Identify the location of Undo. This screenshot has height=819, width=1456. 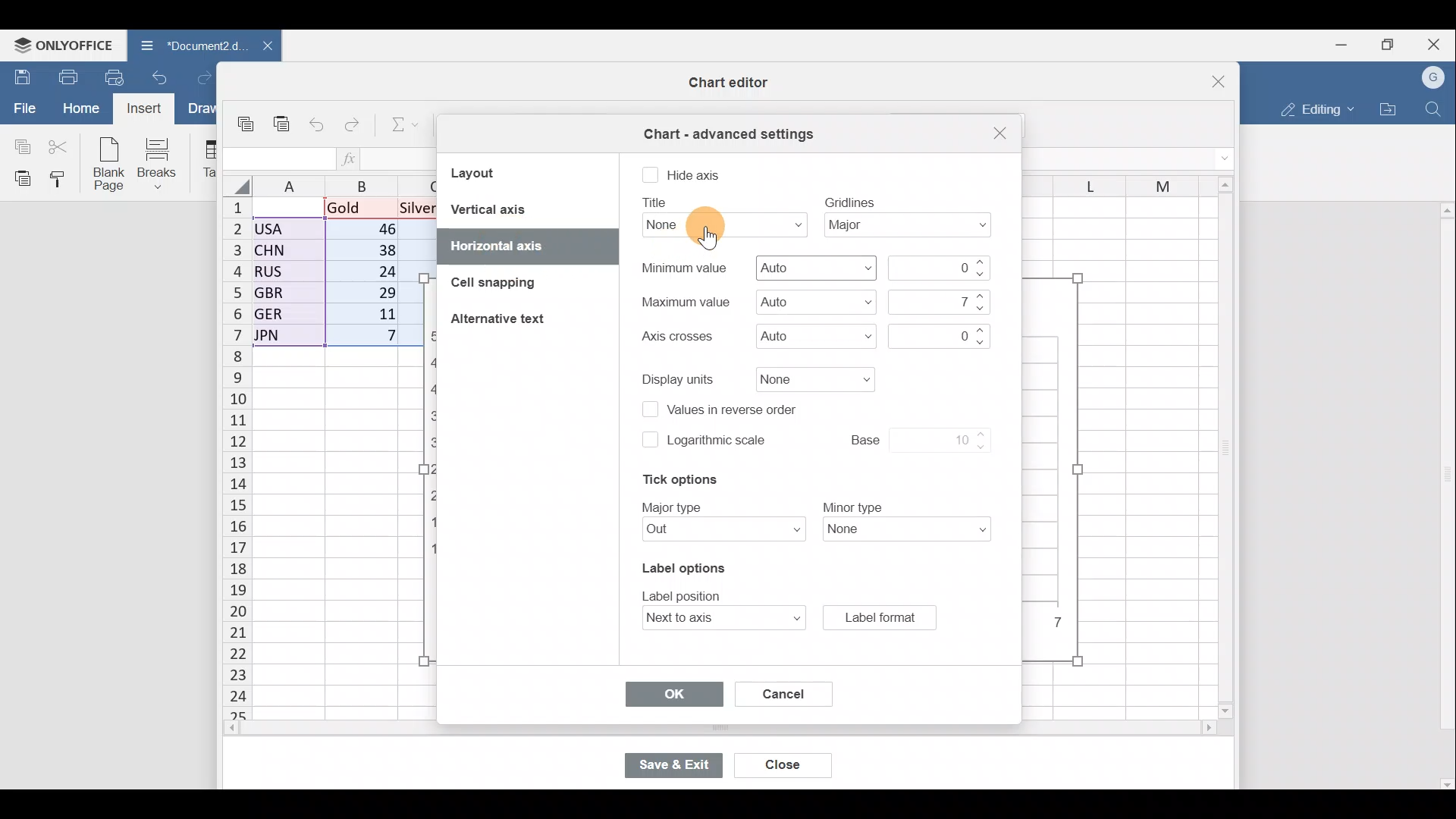
(162, 76).